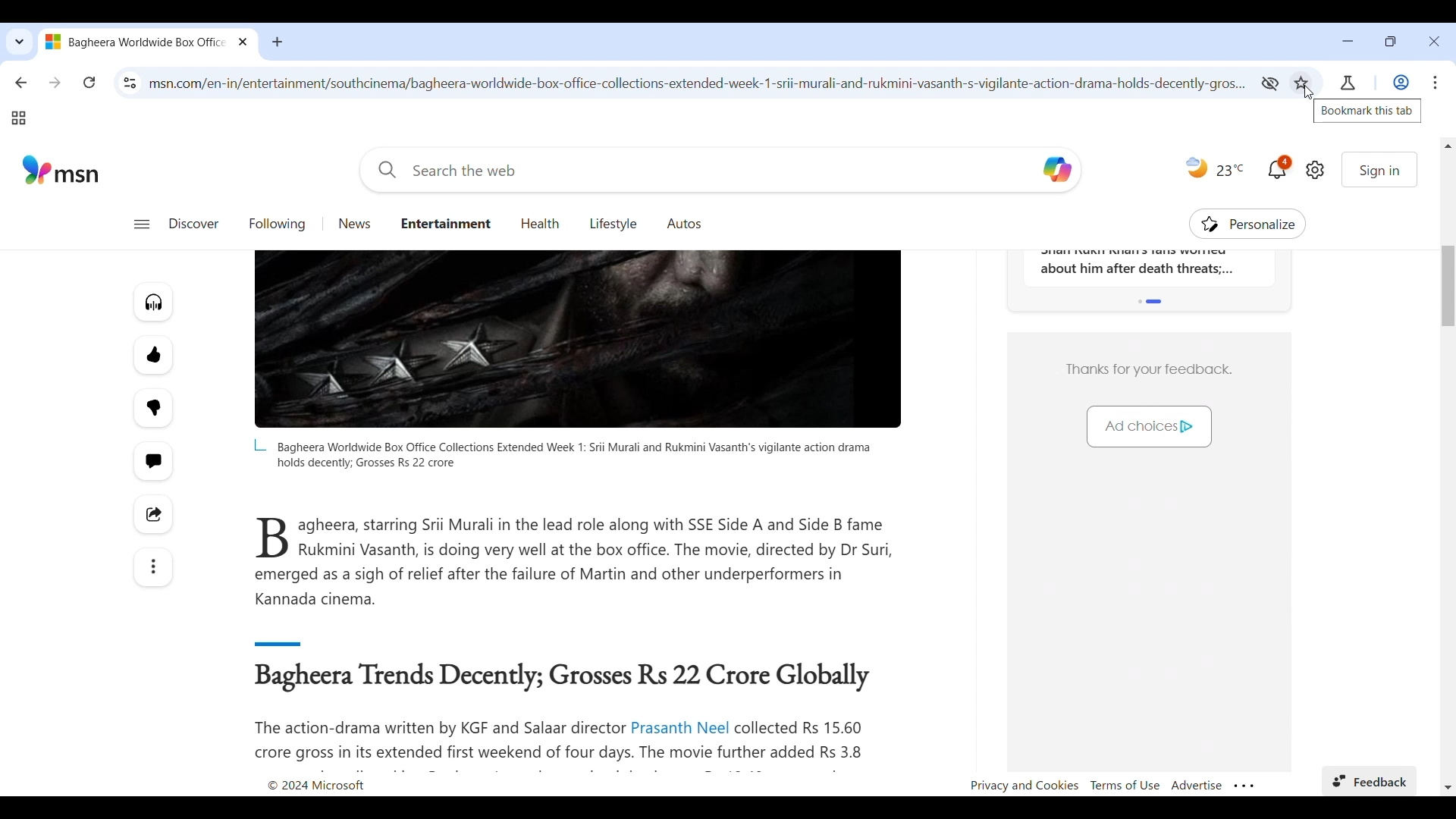 The height and width of the screenshot is (819, 1456). I want to click on Article banner, so click(578, 340).